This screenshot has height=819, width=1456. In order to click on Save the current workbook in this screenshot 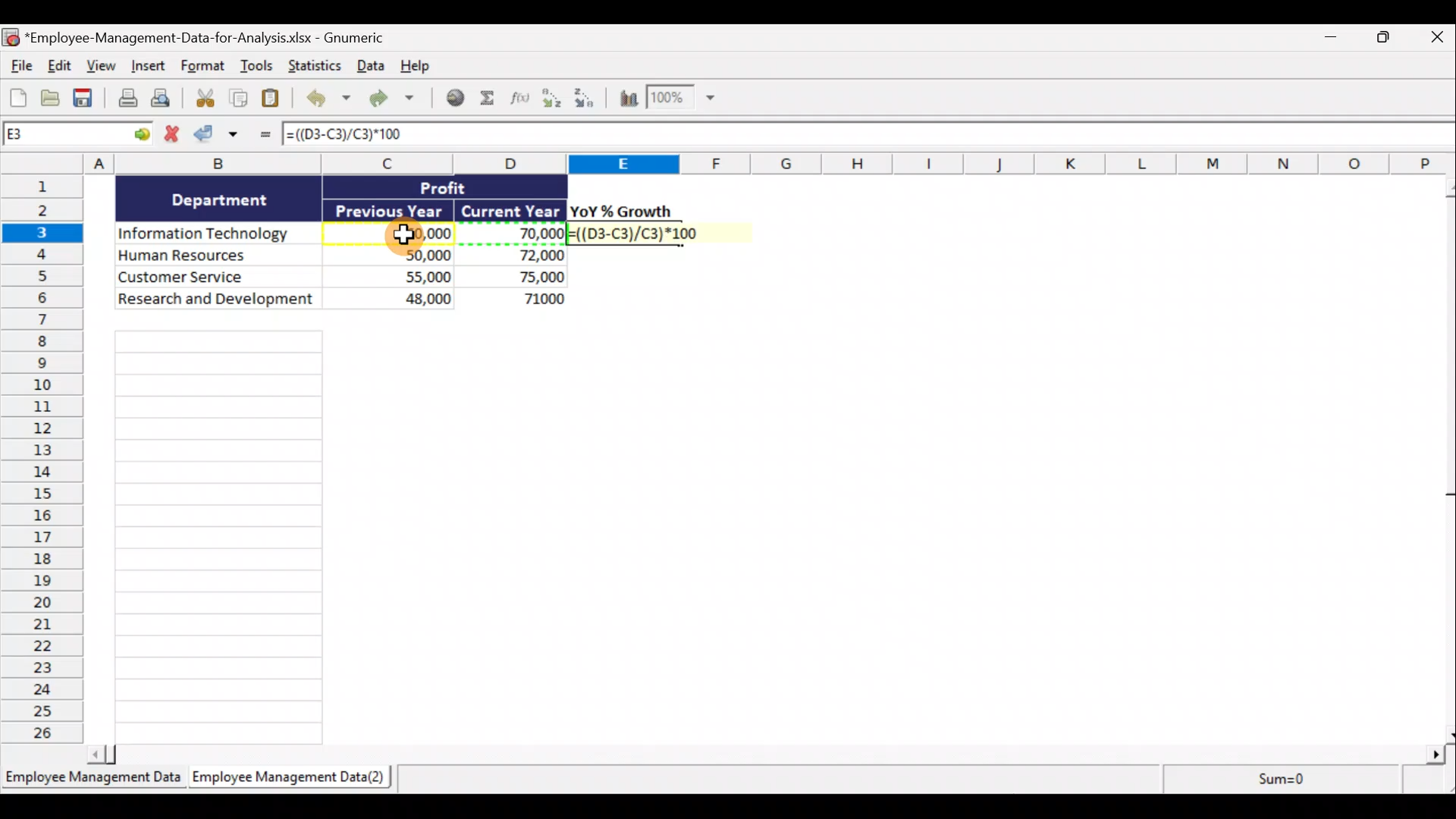, I will do `click(86, 99)`.